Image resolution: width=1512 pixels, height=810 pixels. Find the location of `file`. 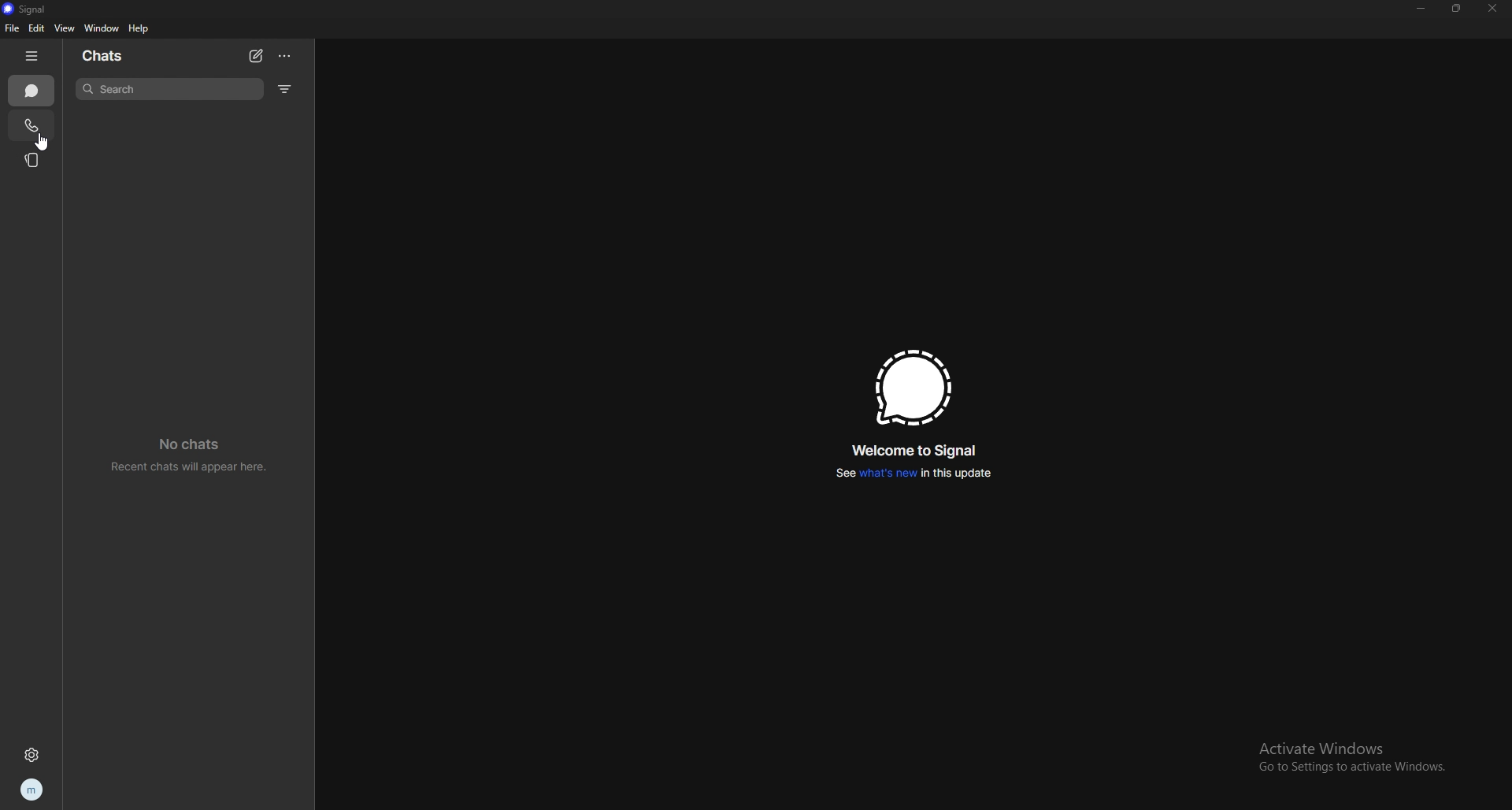

file is located at coordinates (13, 28).